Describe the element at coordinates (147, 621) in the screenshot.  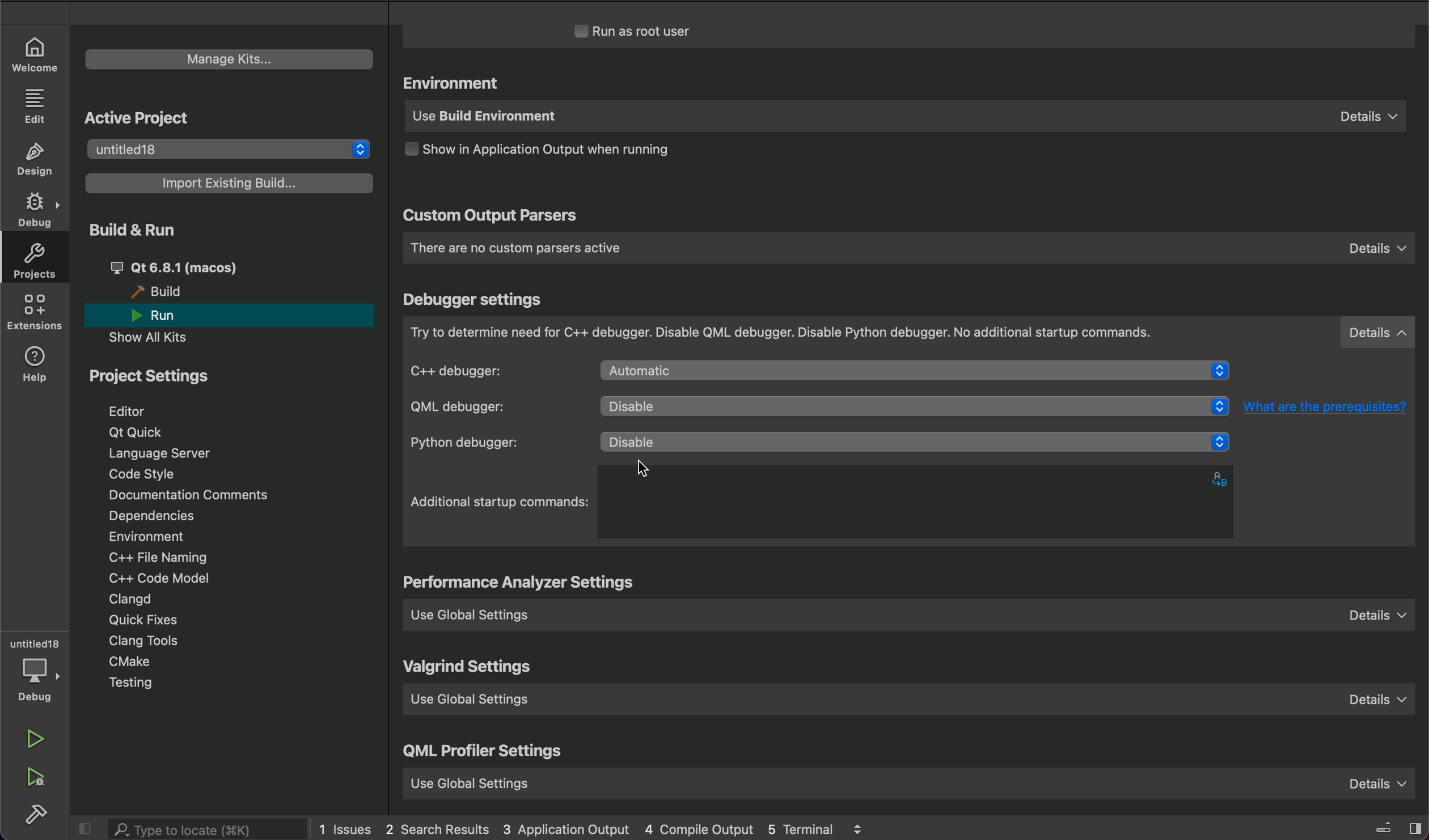
I see `quick ` at that location.